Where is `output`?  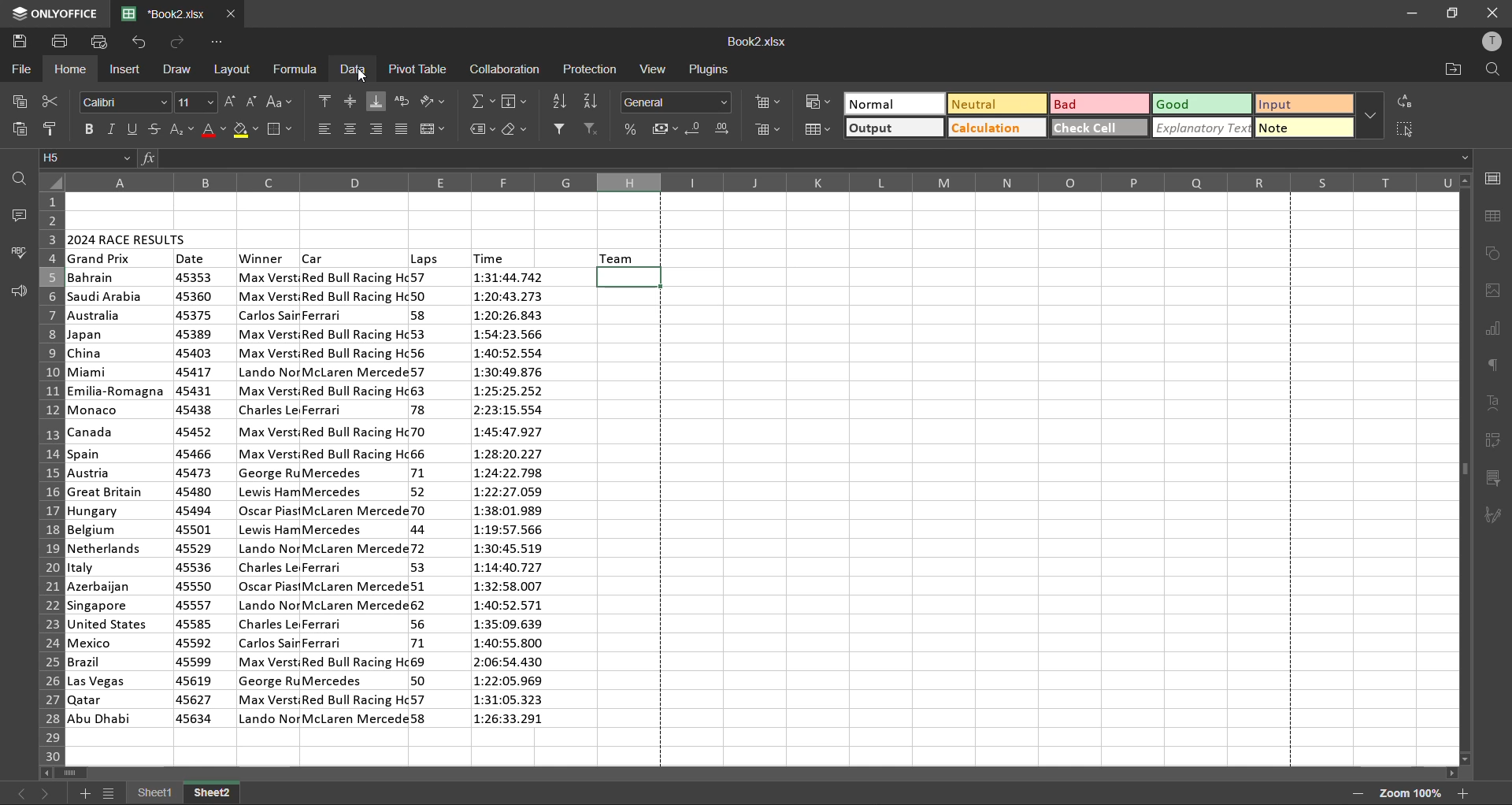
output is located at coordinates (895, 129).